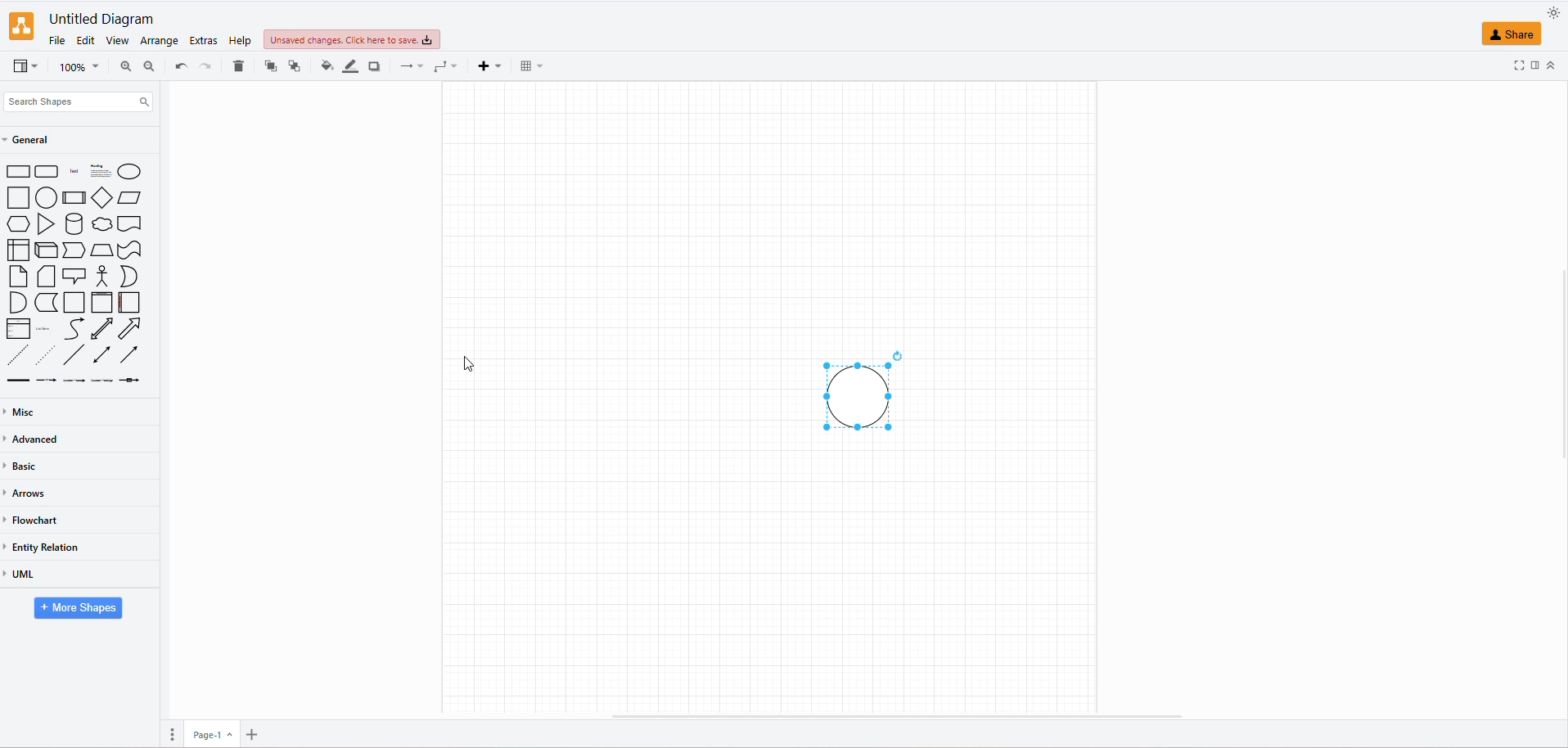 This screenshot has height=748, width=1568. Describe the element at coordinates (83, 42) in the screenshot. I see `EDIT` at that location.